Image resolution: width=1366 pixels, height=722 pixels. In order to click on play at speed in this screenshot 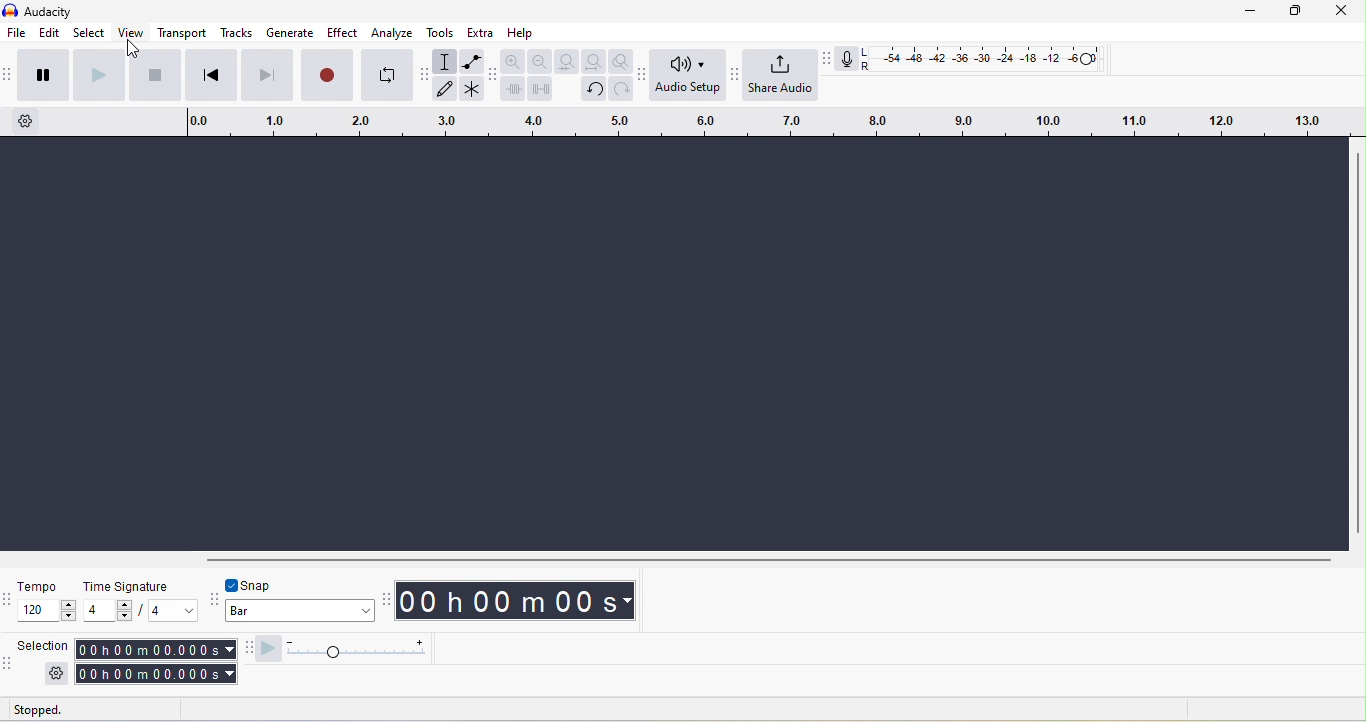, I will do `click(268, 650)`.